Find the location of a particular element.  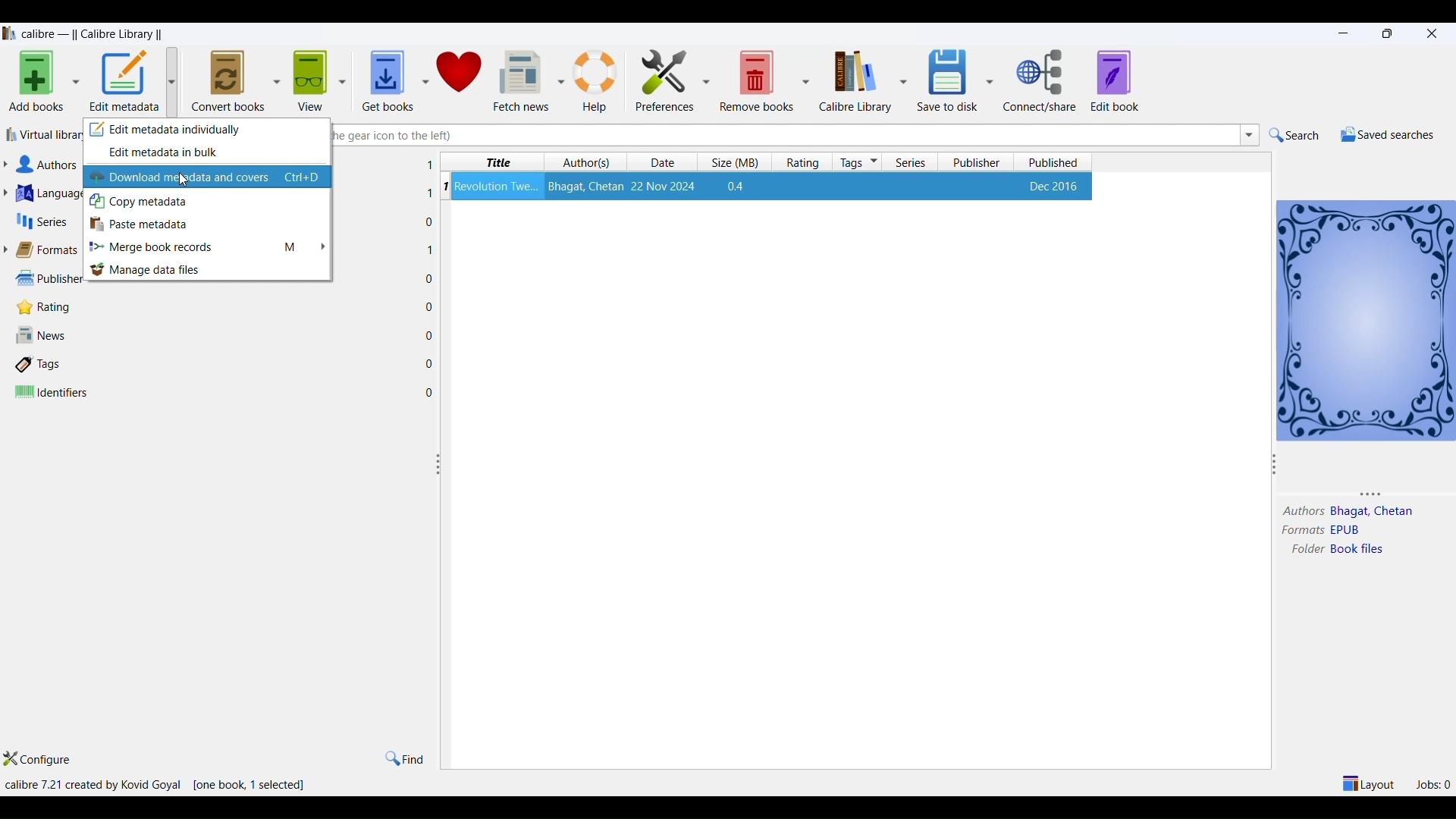

0 is located at coordinates (430, 278).